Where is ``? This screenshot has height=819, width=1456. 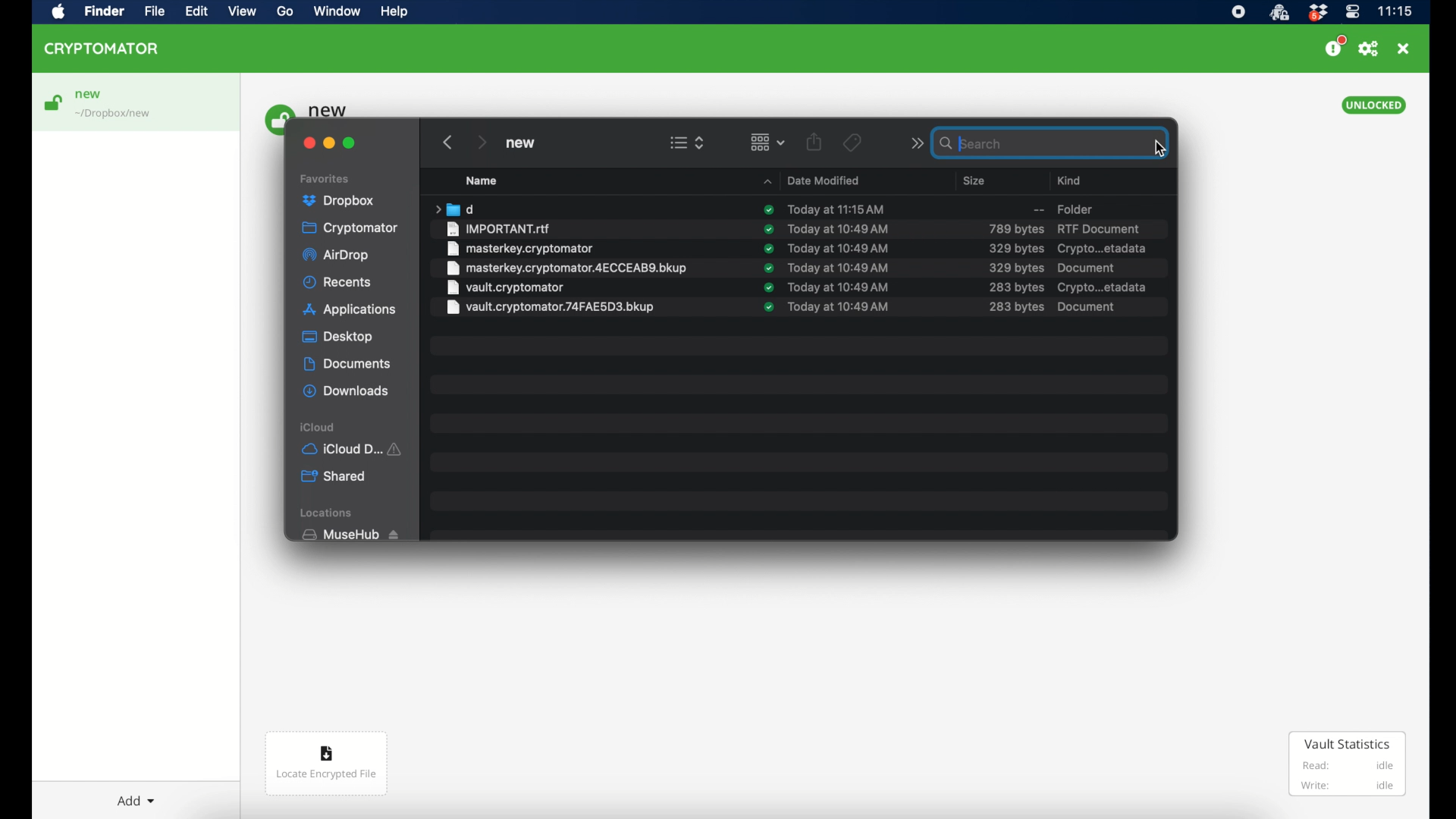
 is located at coordinates (507, 287).